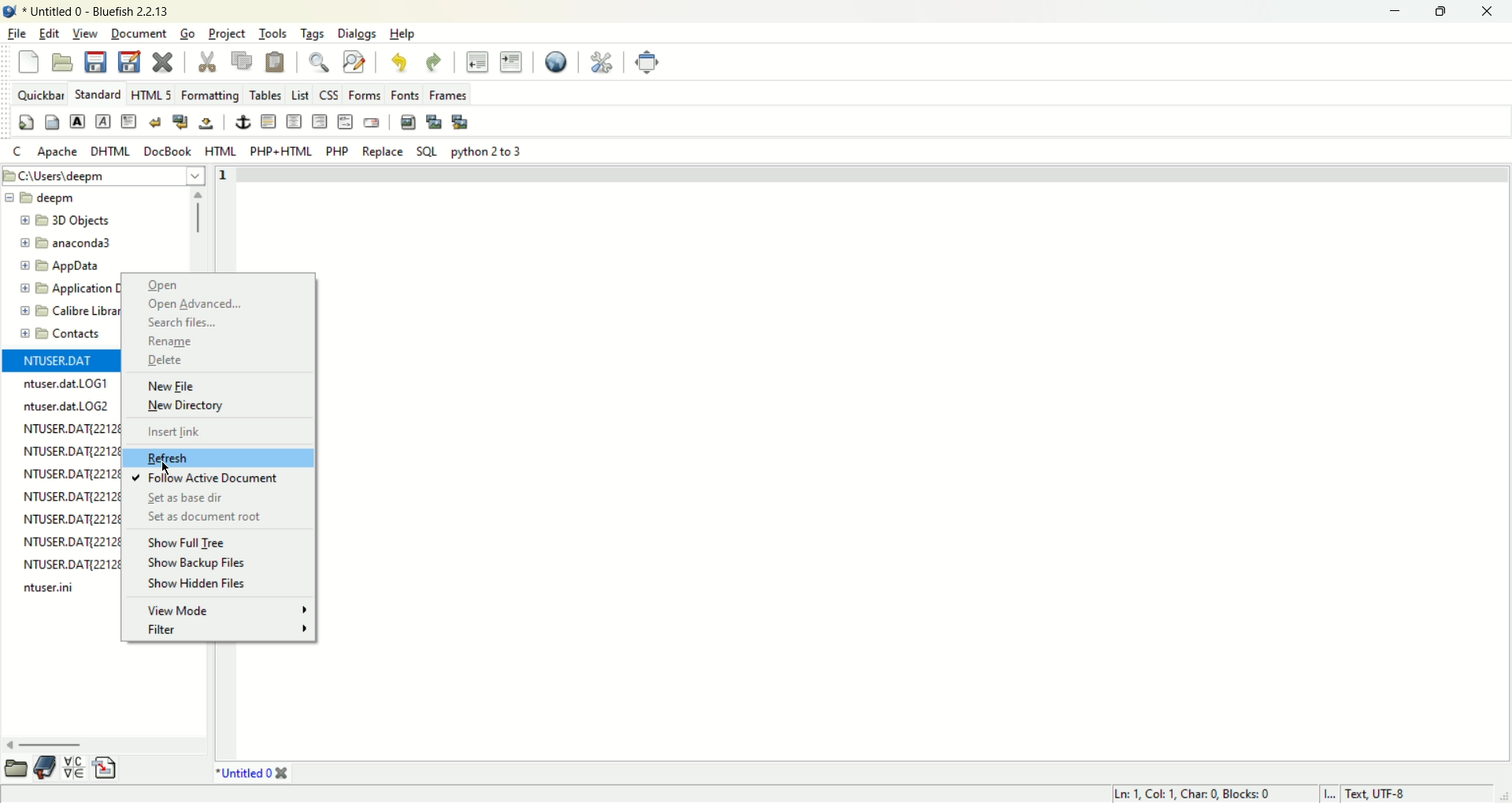 Image resolution: width=1512 pixels, height=803 pixels. What do you see at coordinates (1195, 794) in the screenshot?
I see `cursor position` at bounding box center [1195, 794].